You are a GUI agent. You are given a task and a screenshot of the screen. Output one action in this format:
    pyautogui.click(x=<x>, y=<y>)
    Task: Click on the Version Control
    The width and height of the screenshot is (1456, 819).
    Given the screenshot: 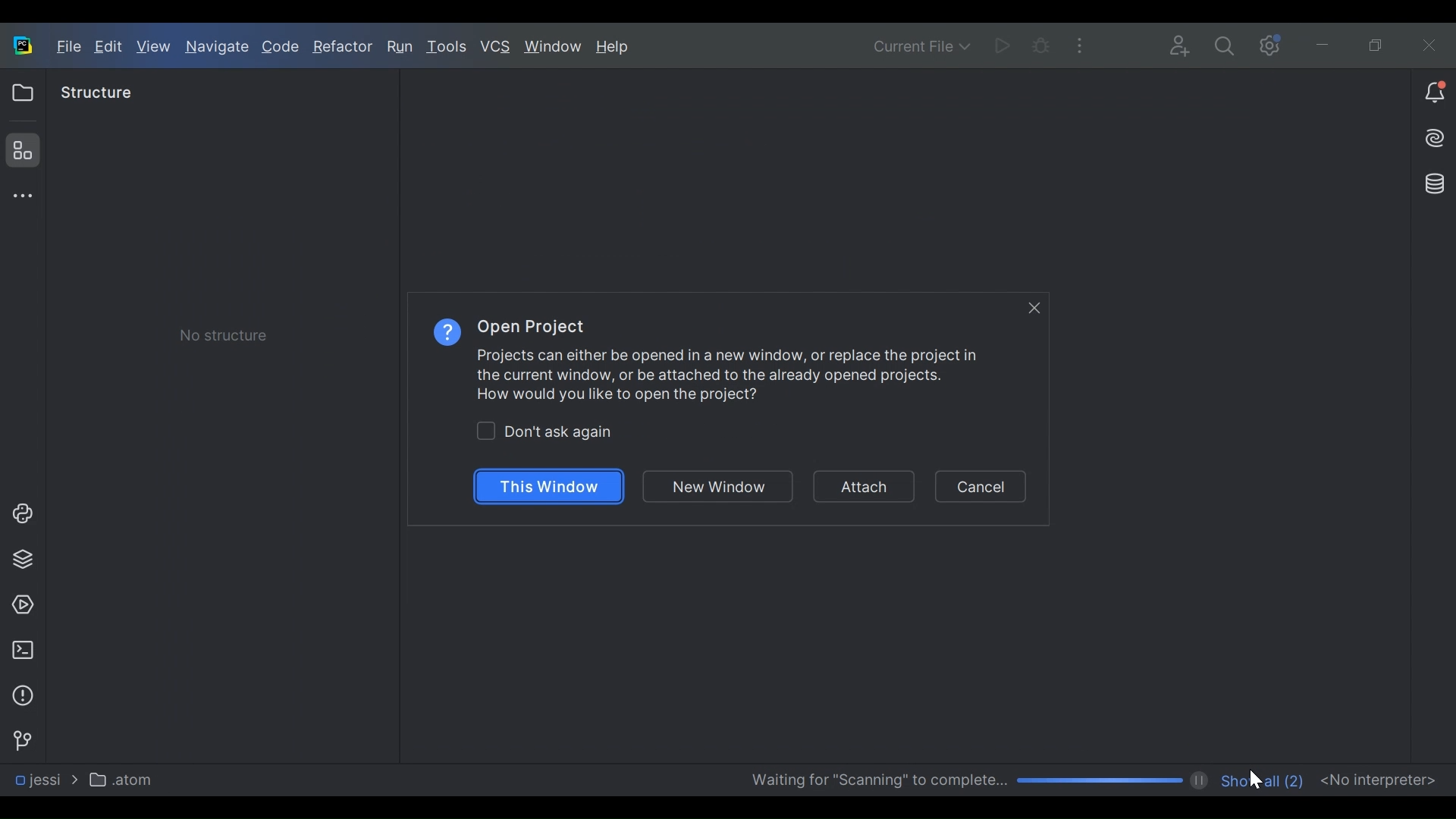 What is the action you would take?
    pyautogui.click(x=21, y=739)
    